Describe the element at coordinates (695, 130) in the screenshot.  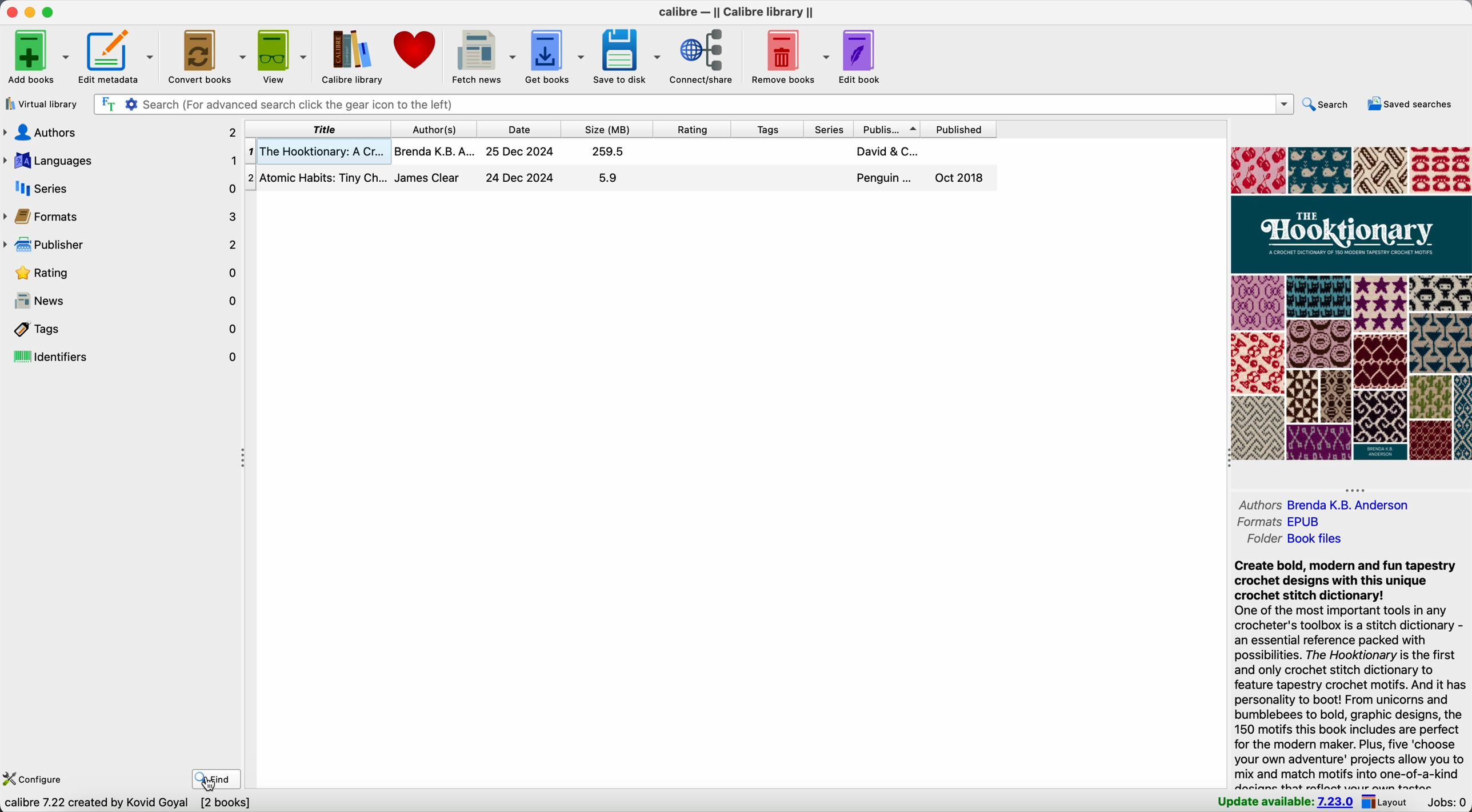
I see `rating` at that location.